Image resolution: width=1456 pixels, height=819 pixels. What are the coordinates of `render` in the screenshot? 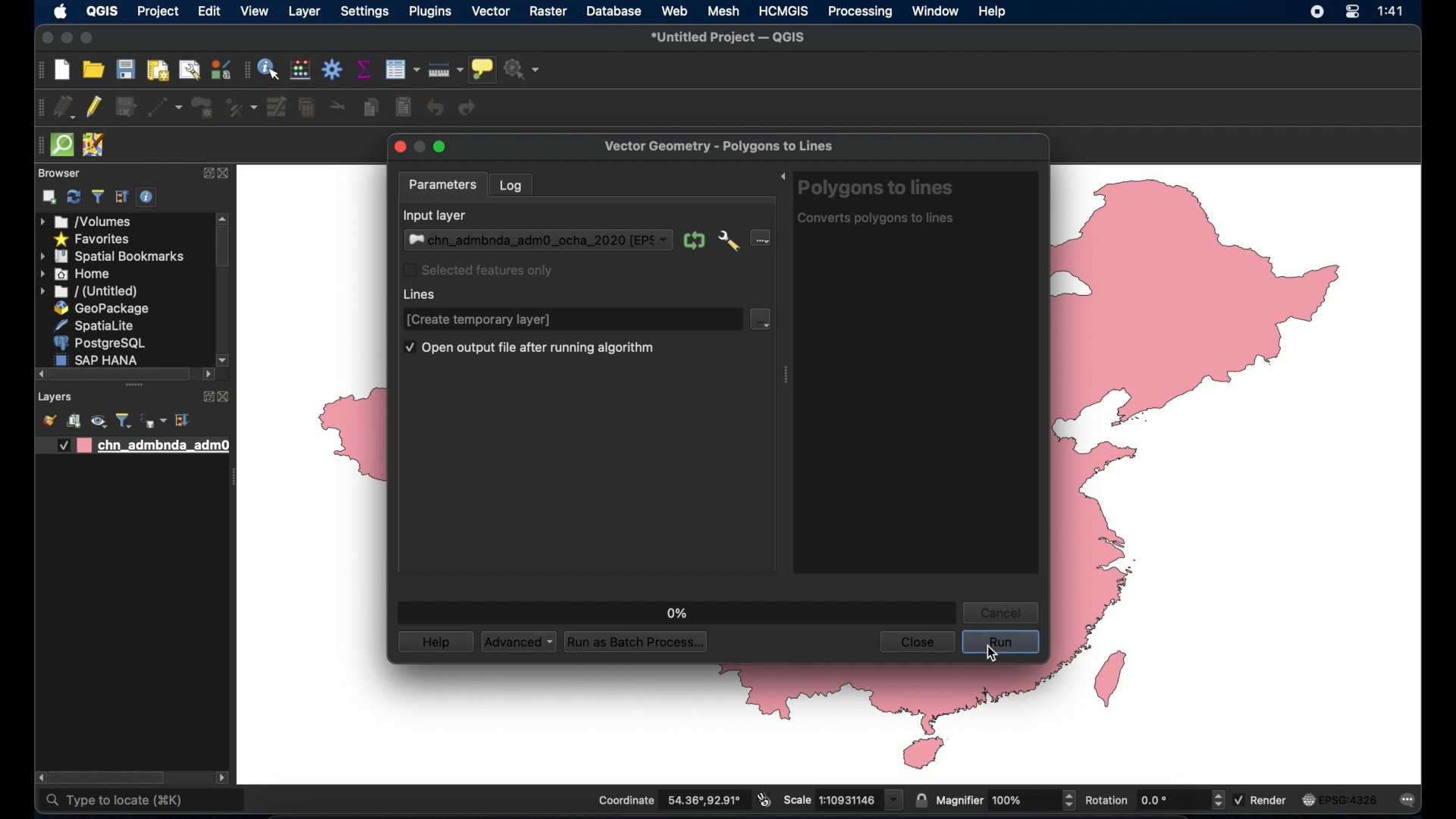 It's located at (1262, 800).